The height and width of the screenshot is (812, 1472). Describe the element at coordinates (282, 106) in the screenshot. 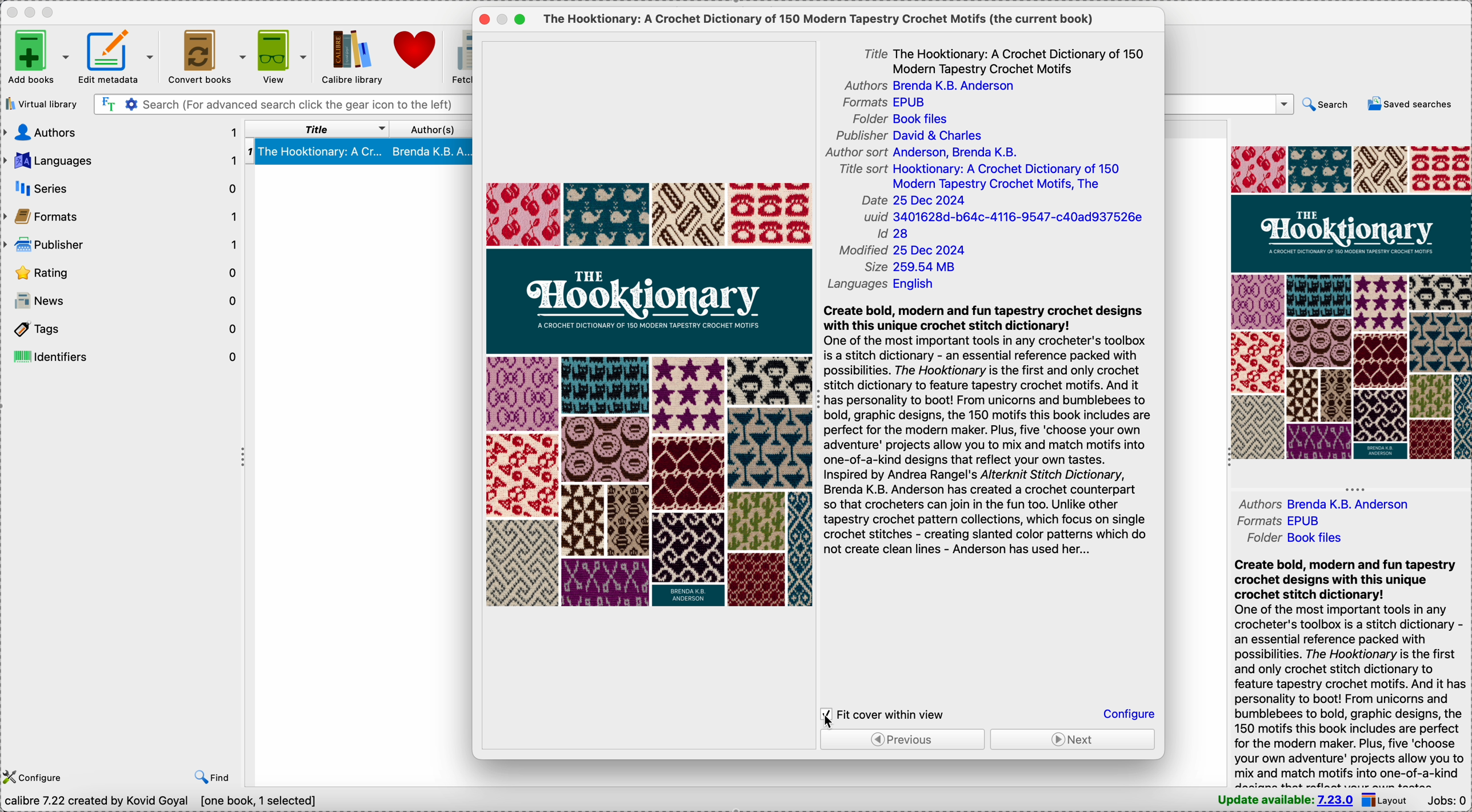

I see `search bar` at that location.